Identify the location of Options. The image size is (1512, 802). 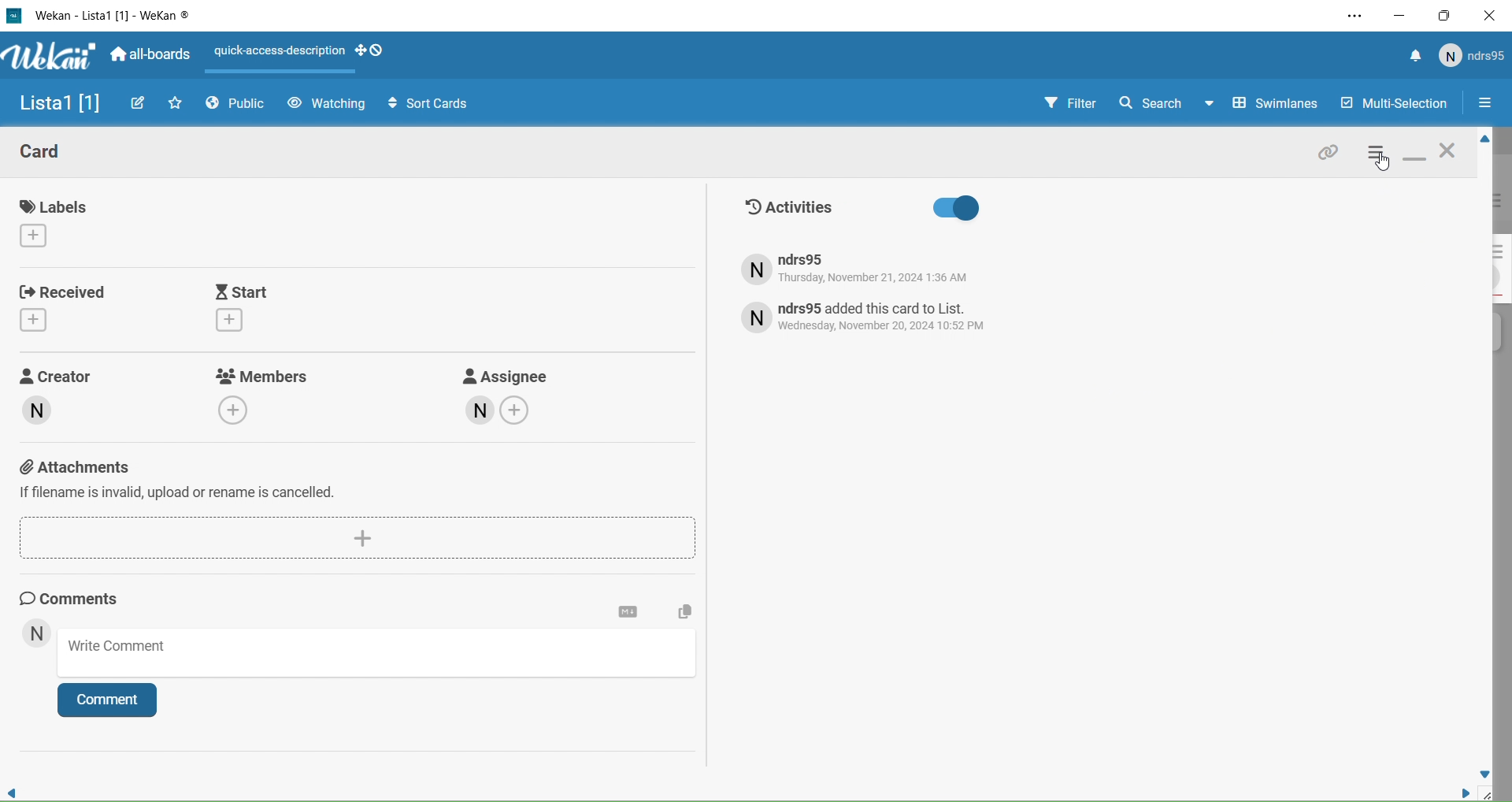
(1488, 104).